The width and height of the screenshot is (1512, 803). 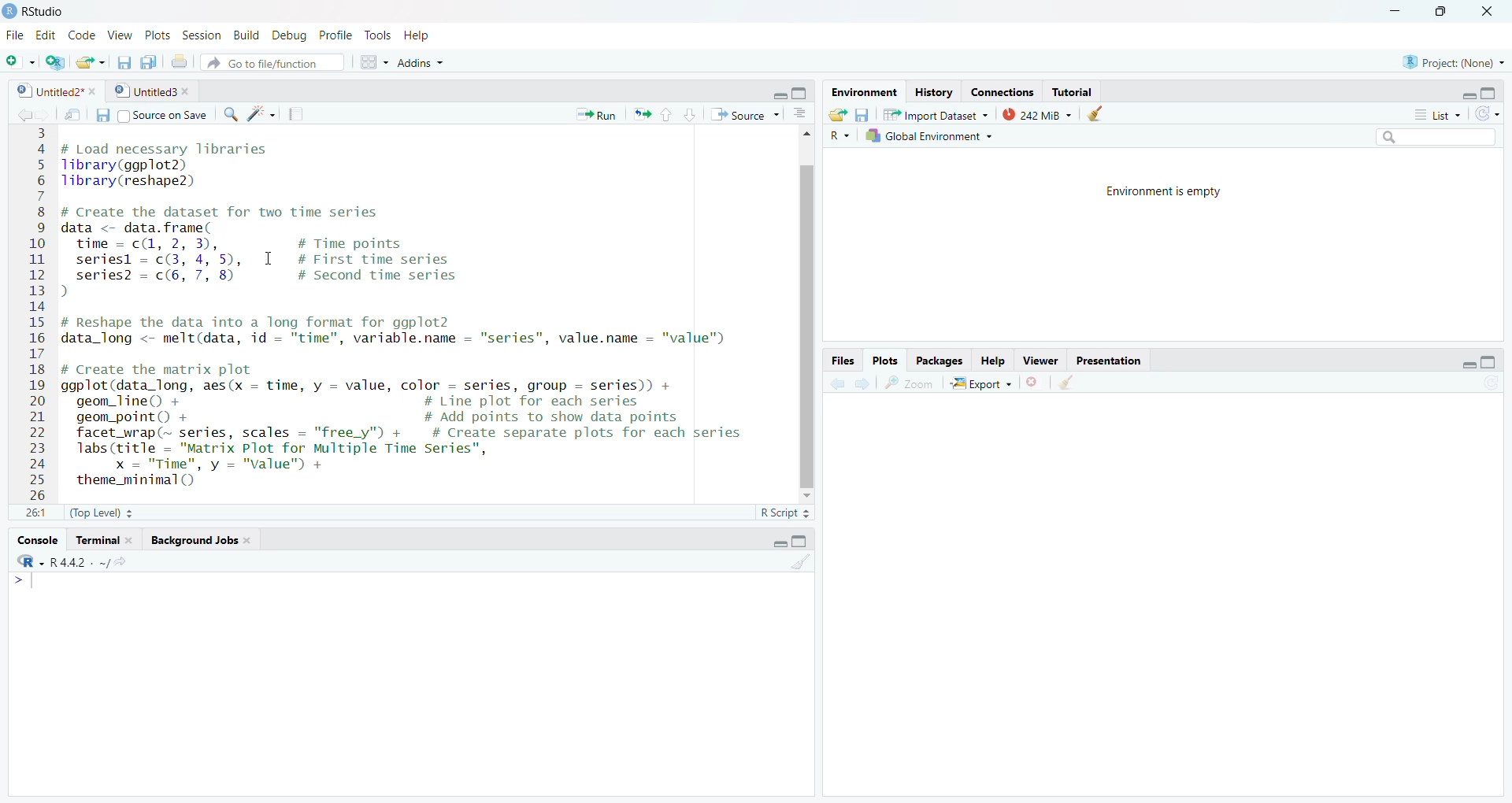 I want to click on Maximize, so click(x=802, y=542).